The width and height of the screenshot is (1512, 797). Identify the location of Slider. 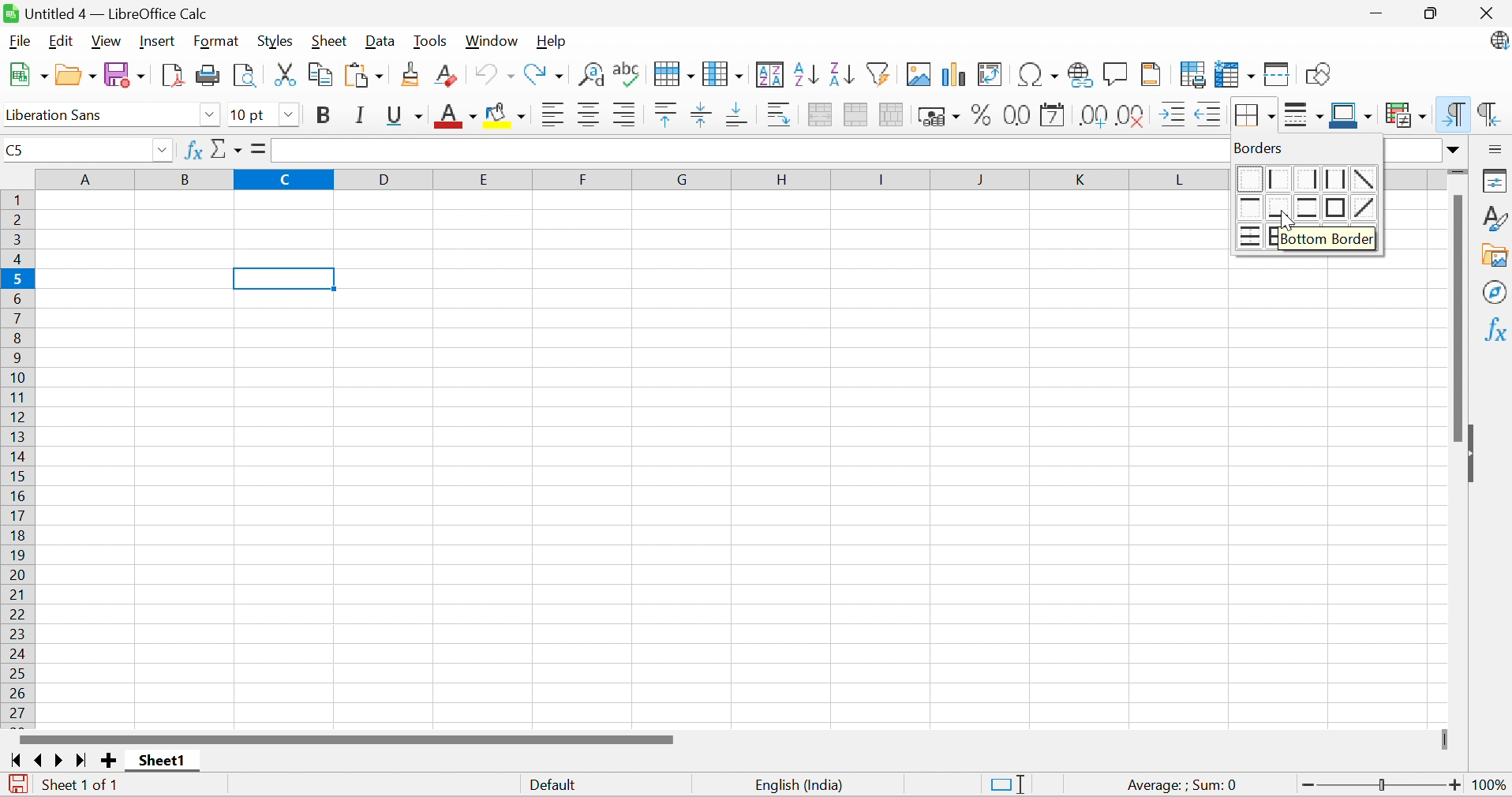
(1447, 740).